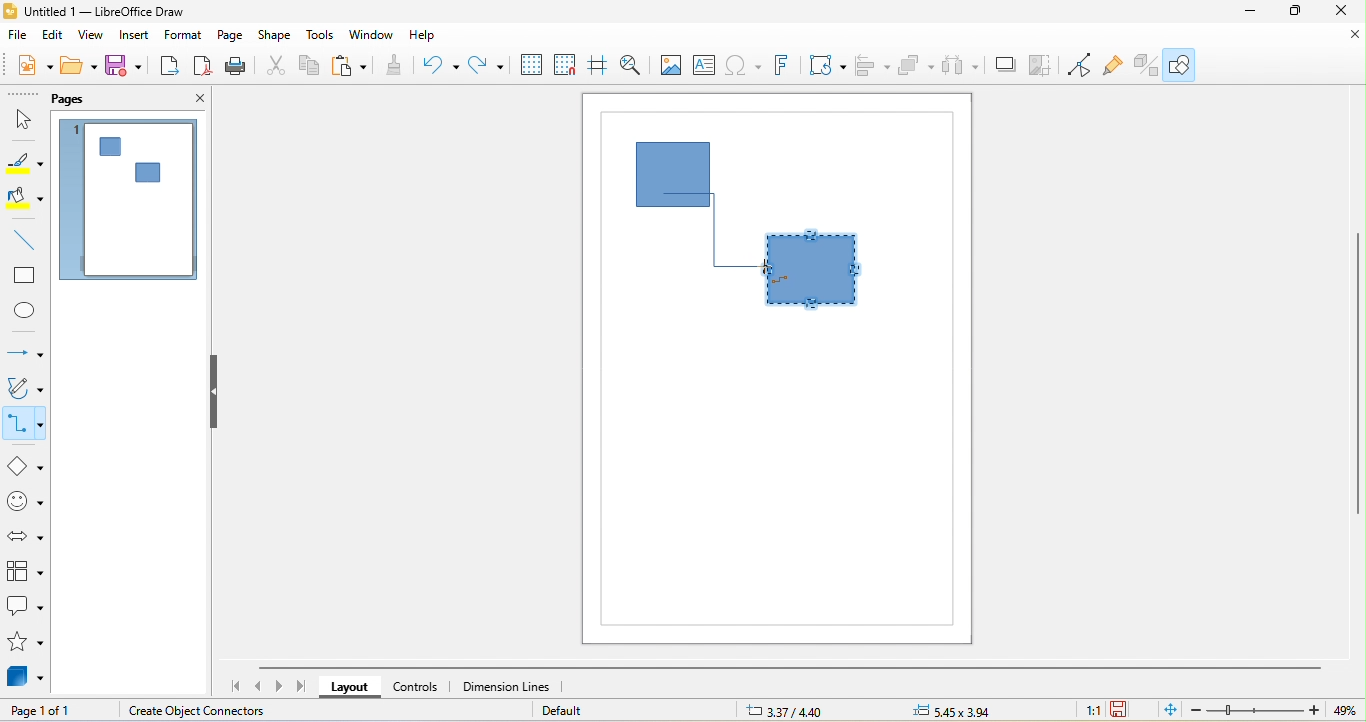 Image resolution: width=1366 pixels, height=722 pixels. Describe the element at coordinates (230, 36) in the screenshot. I see `page` at that location.